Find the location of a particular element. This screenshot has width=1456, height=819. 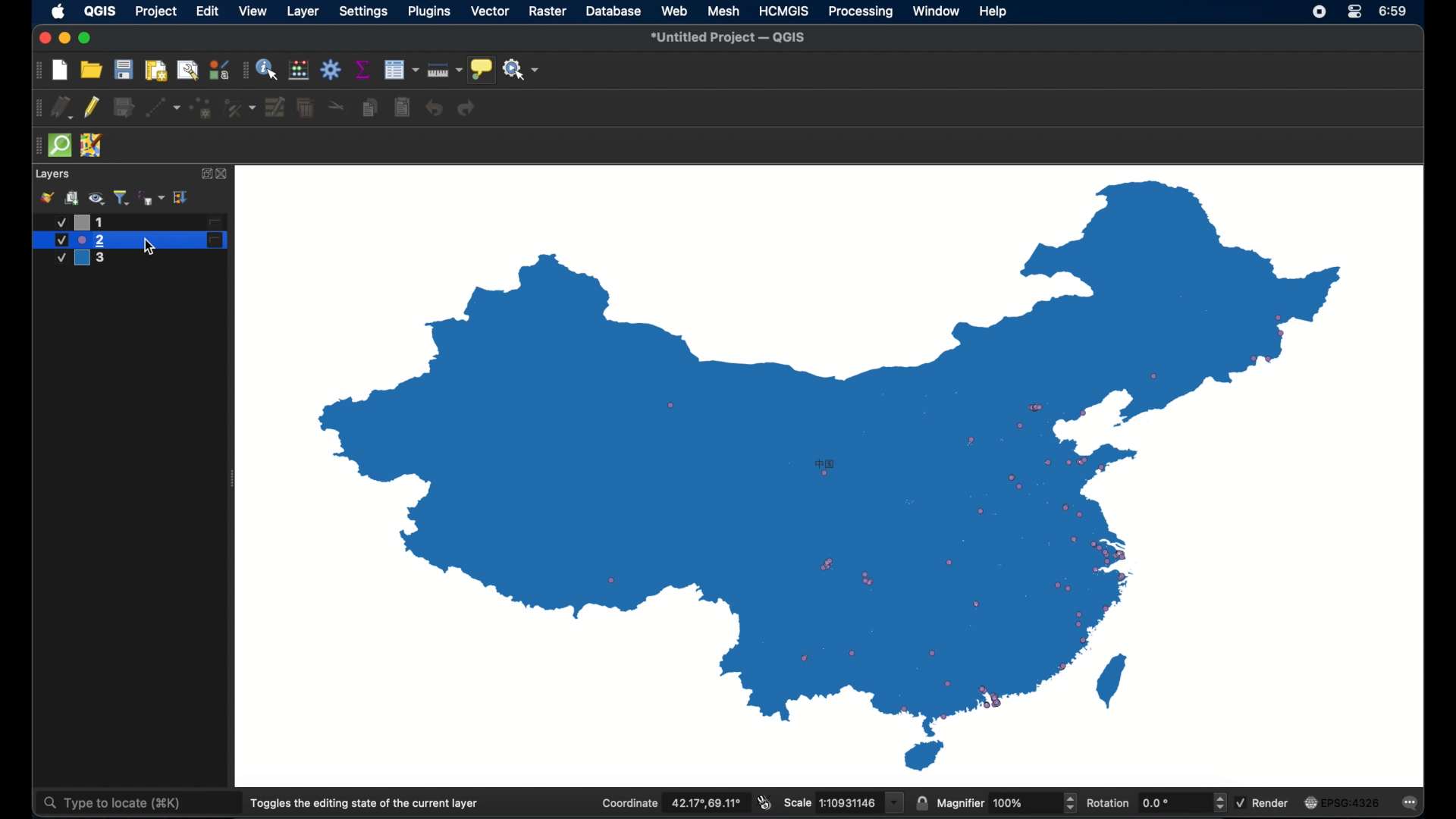

layers is located at coordinates (54, 174).